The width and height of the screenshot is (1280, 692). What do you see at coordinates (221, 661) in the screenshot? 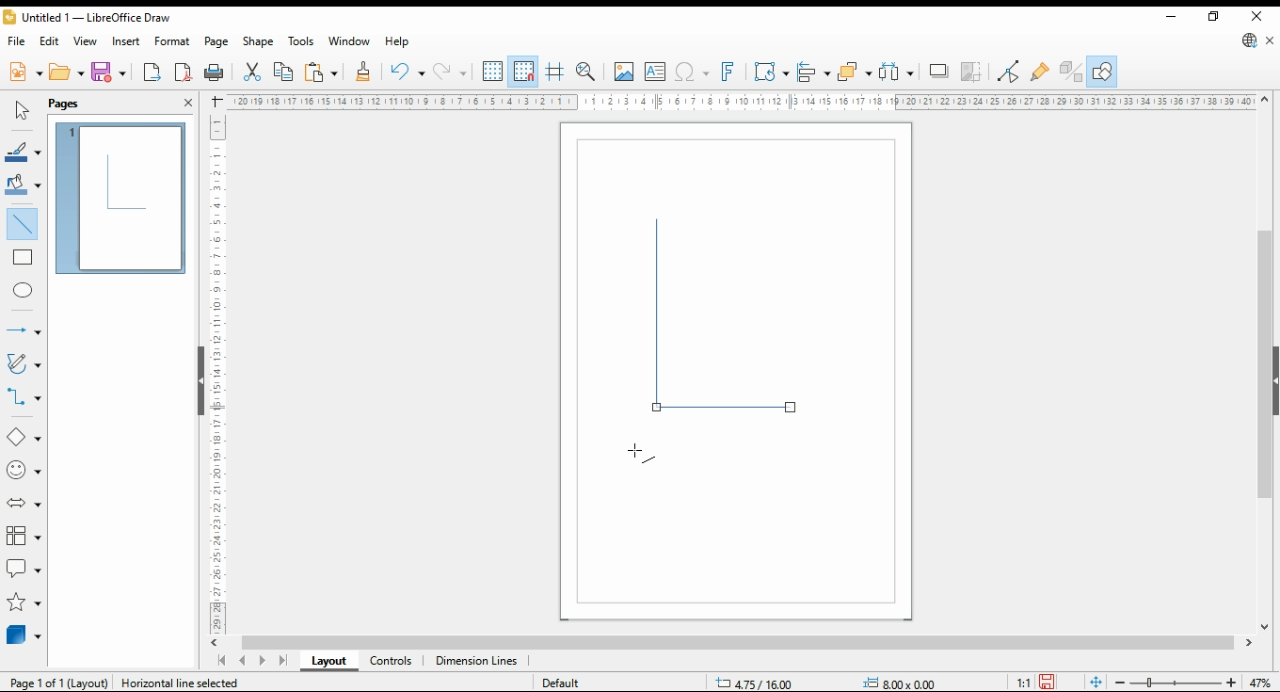
I see `first page` at bounding box center [221, 661].